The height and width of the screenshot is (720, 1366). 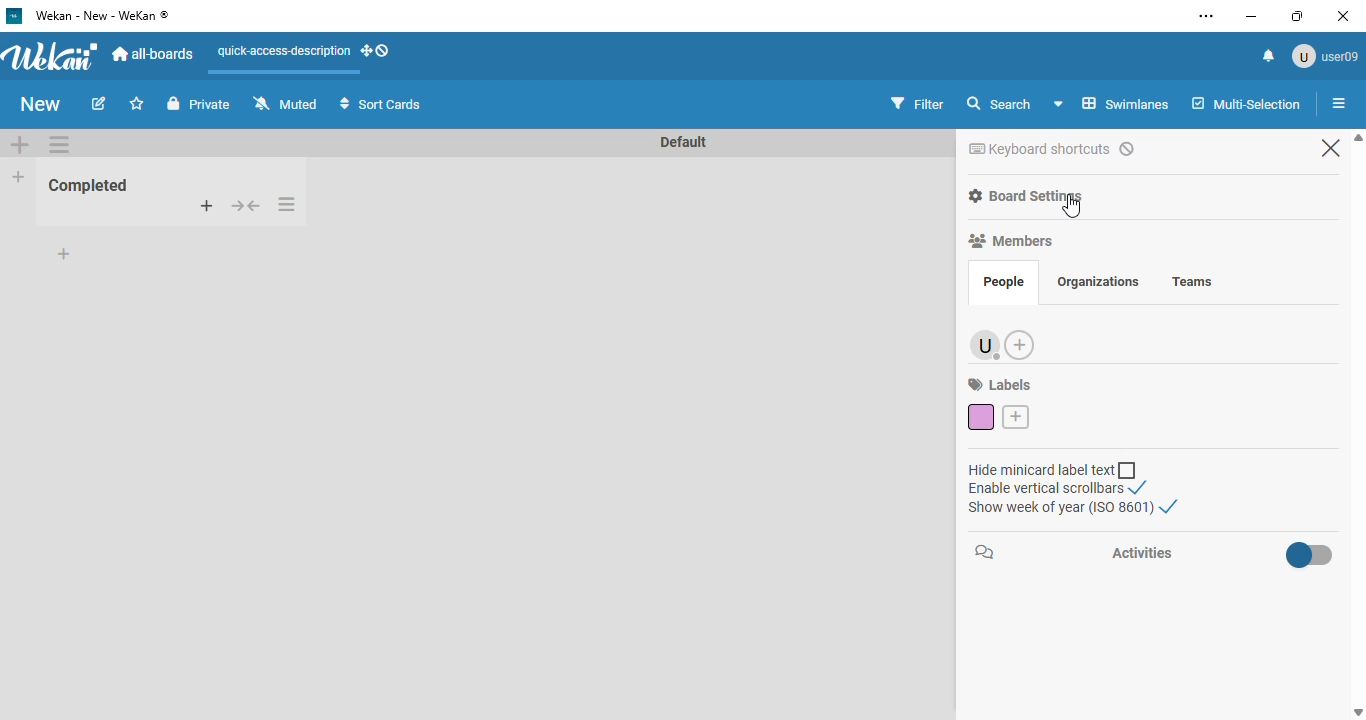 What do you see at coordinates (681, 142) in the screenshot?
I see `Default` at bounding box center [681, 142].